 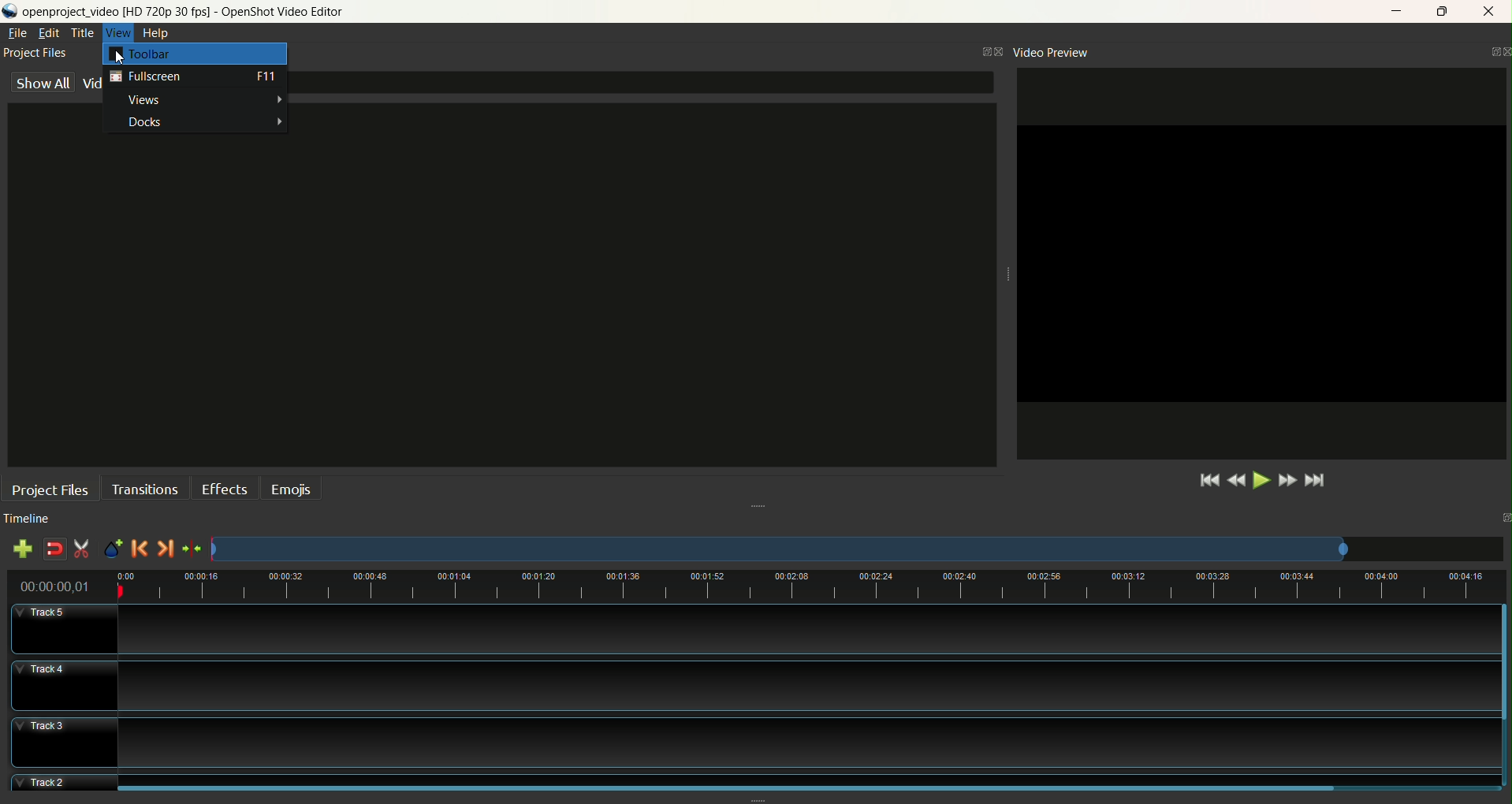 What do you see at coordinates (757, 686) in the screenshot?
I see `track4` at bounding box center [757, 686].